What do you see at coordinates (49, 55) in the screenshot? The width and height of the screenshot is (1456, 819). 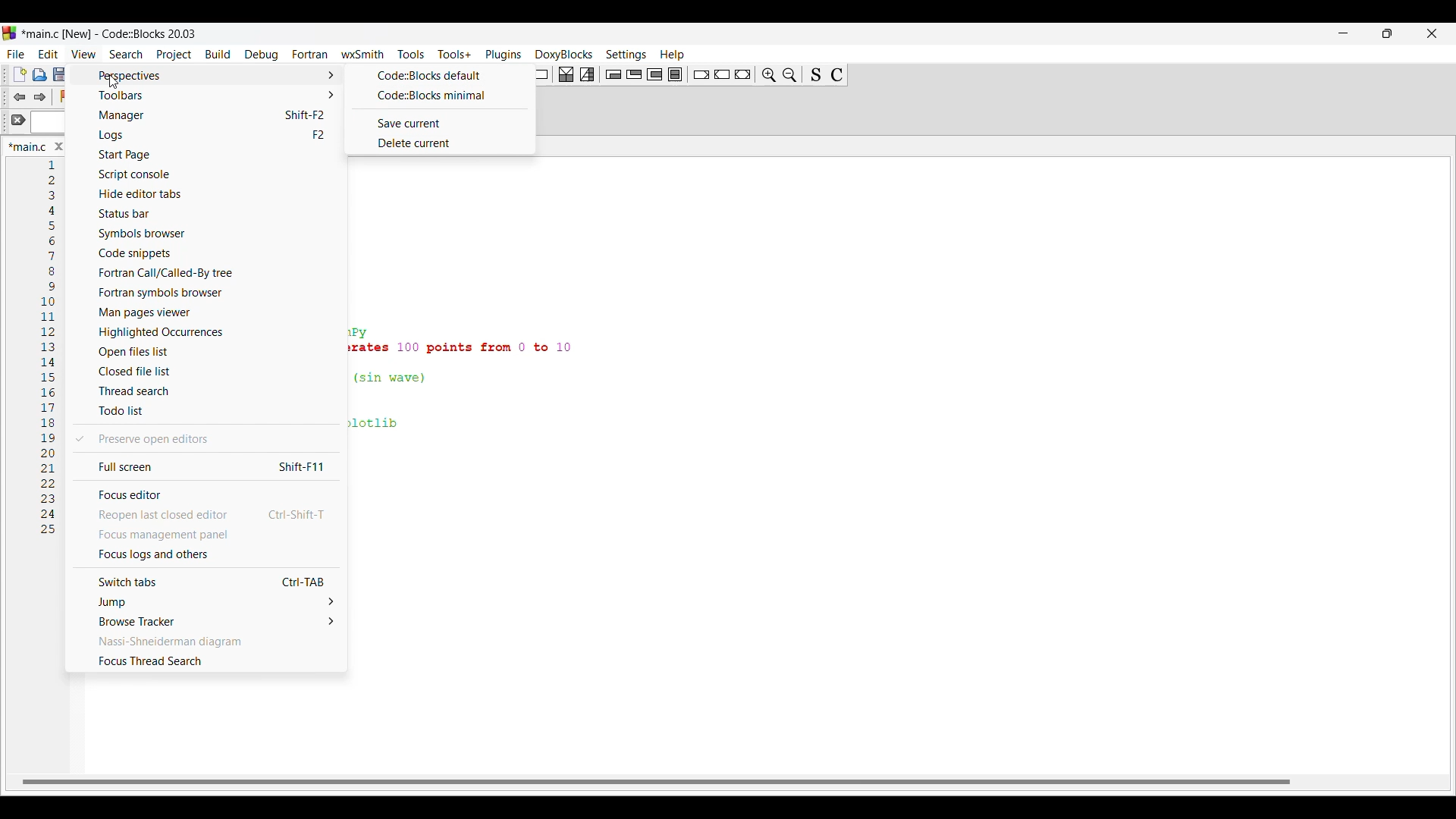 I see `Edit menu` at bounding box center [49, 55].